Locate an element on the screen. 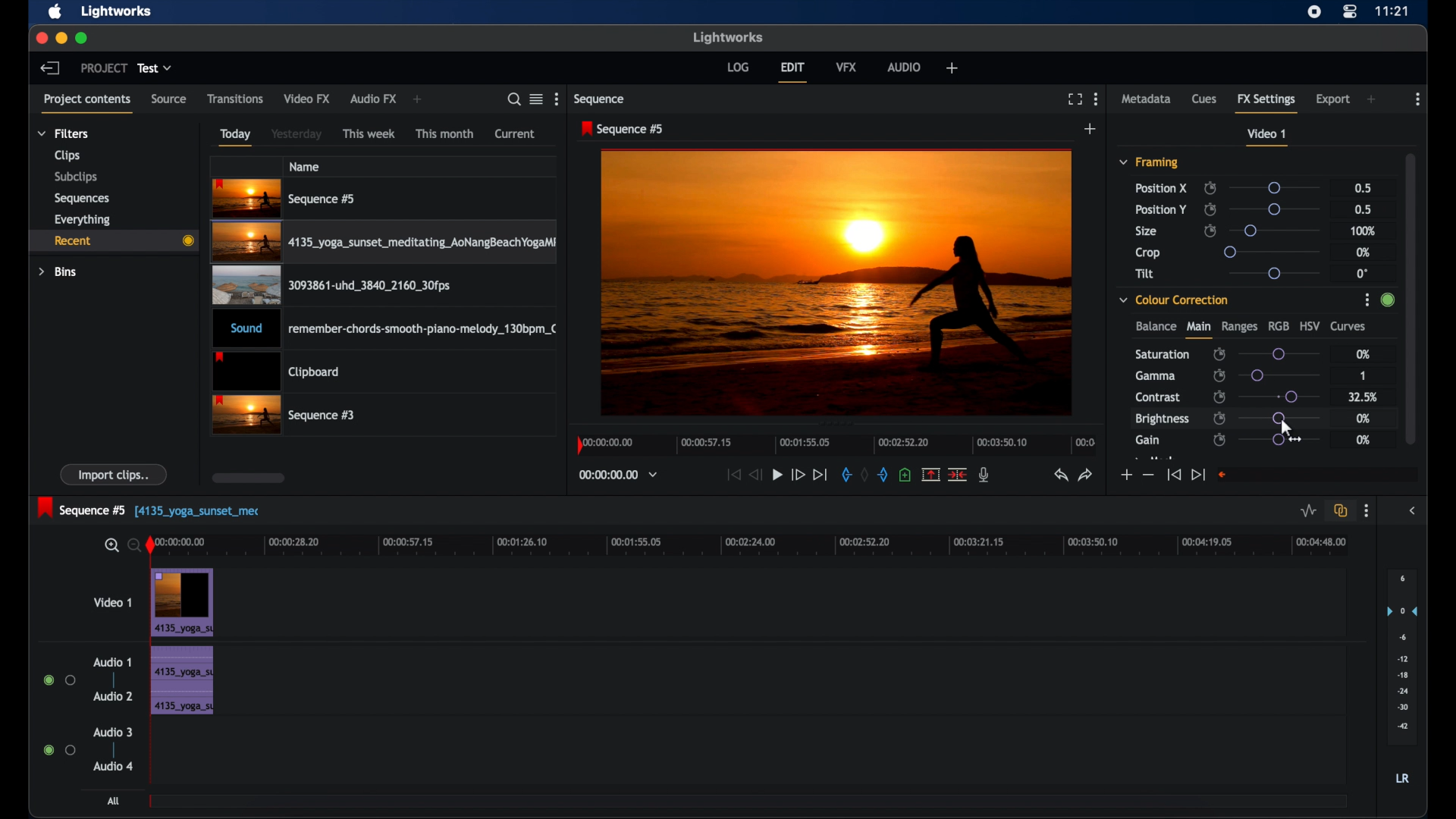  transitions is located at coordinates (236, 99).